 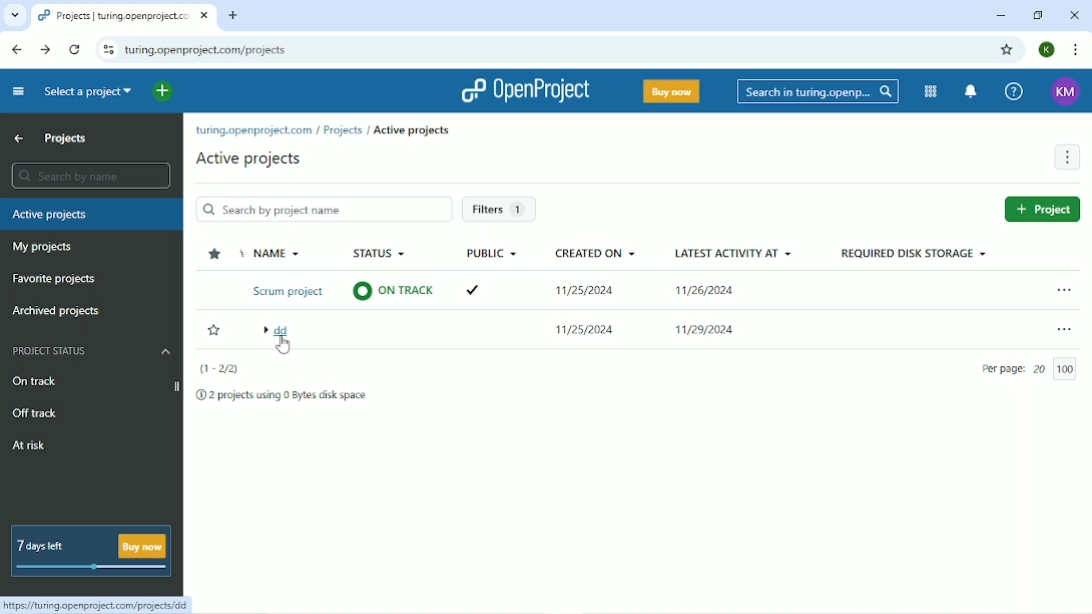 What do you see at coordinates (66, 139) in the screenshot?
I see `Projects` at bounding box center [66, 139].